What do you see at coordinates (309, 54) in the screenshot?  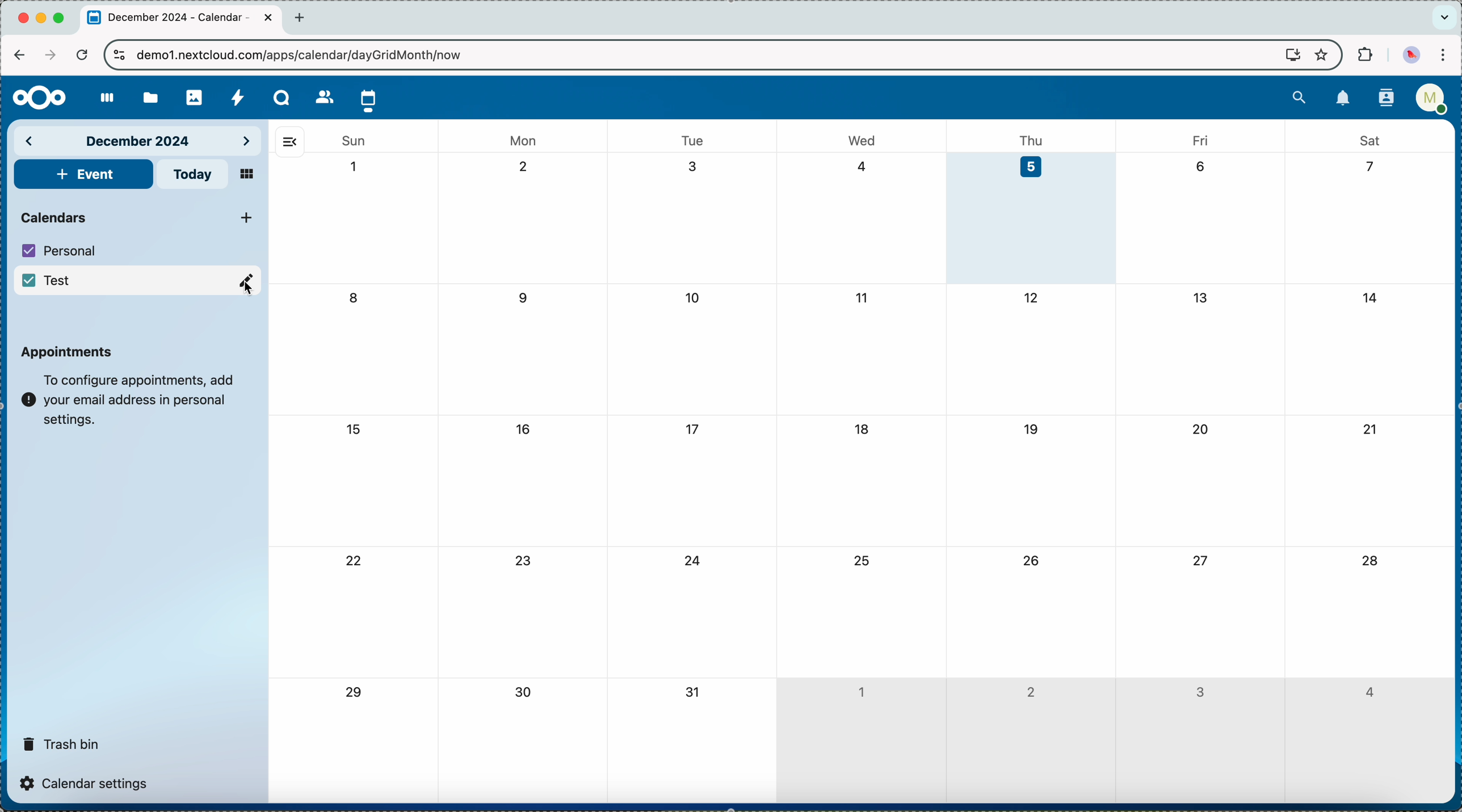 I see `URL` at bounding box center [309, 54].